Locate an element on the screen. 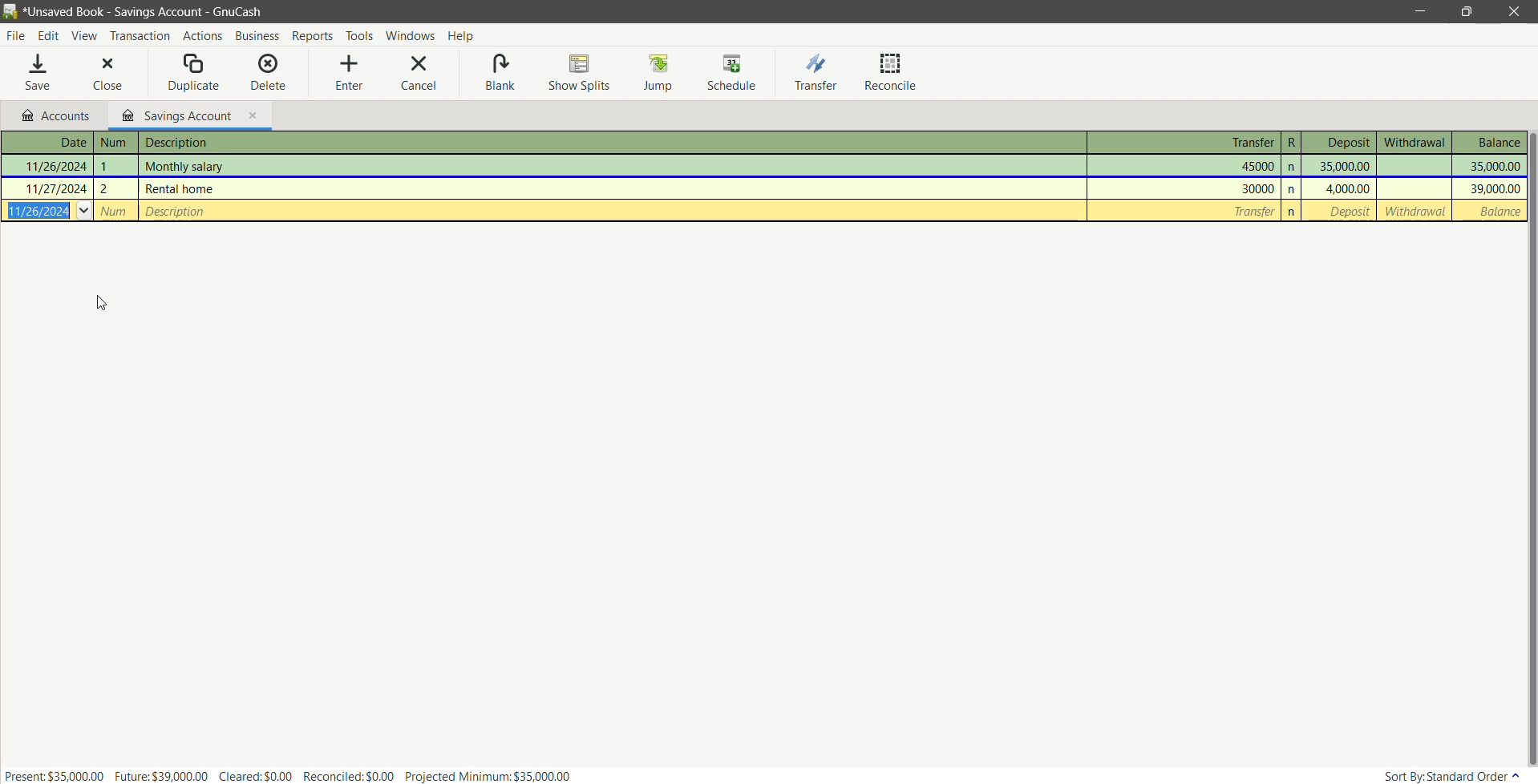  R is located at coordinates (1293, 142).